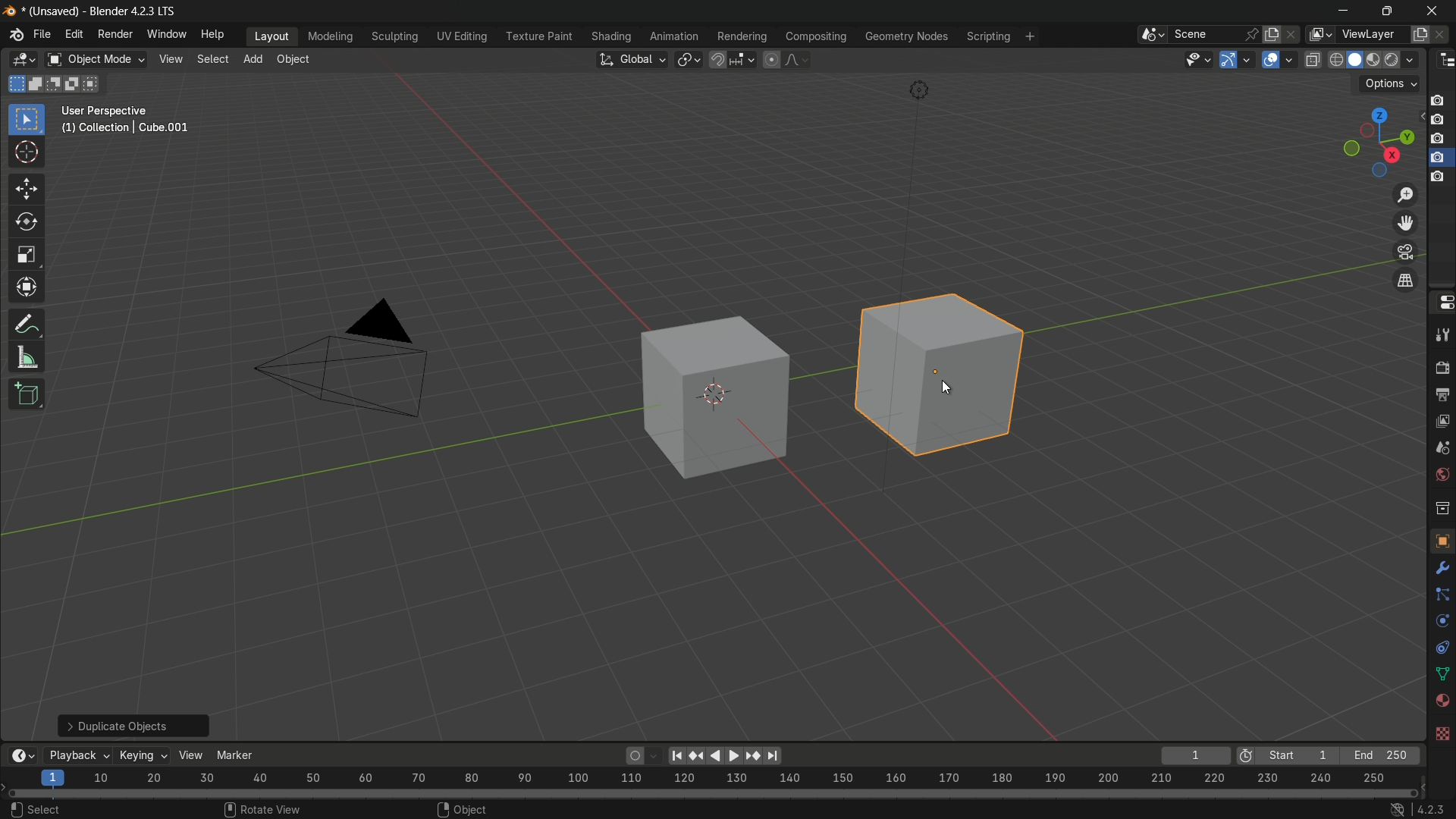 This screenshot has width=1456, height=819. Describe the element at coordinates (26, 286) in the screenshot. I see `transform` at that location.